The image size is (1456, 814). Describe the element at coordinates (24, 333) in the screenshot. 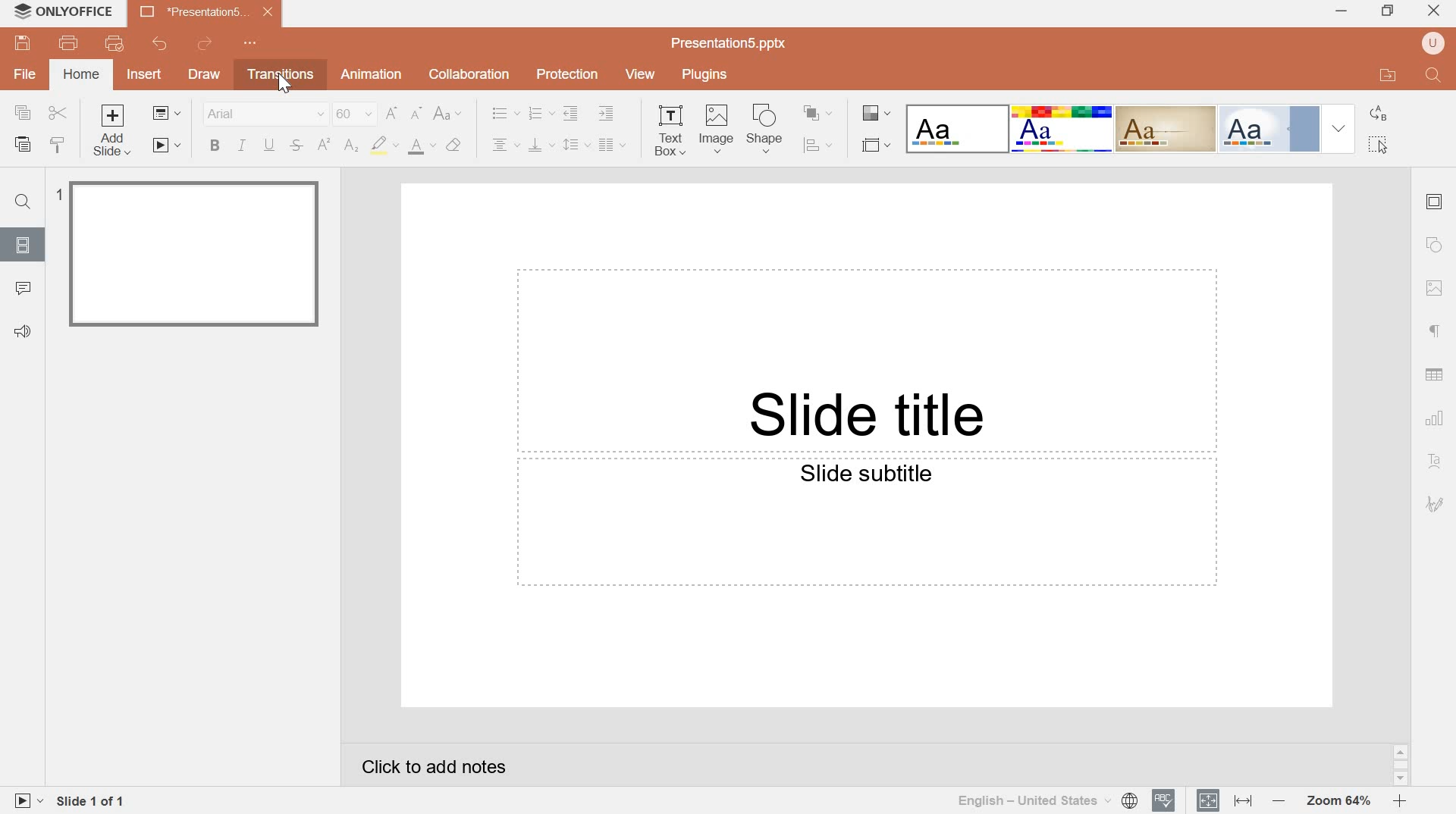

I see `Feedback & support` at that location.